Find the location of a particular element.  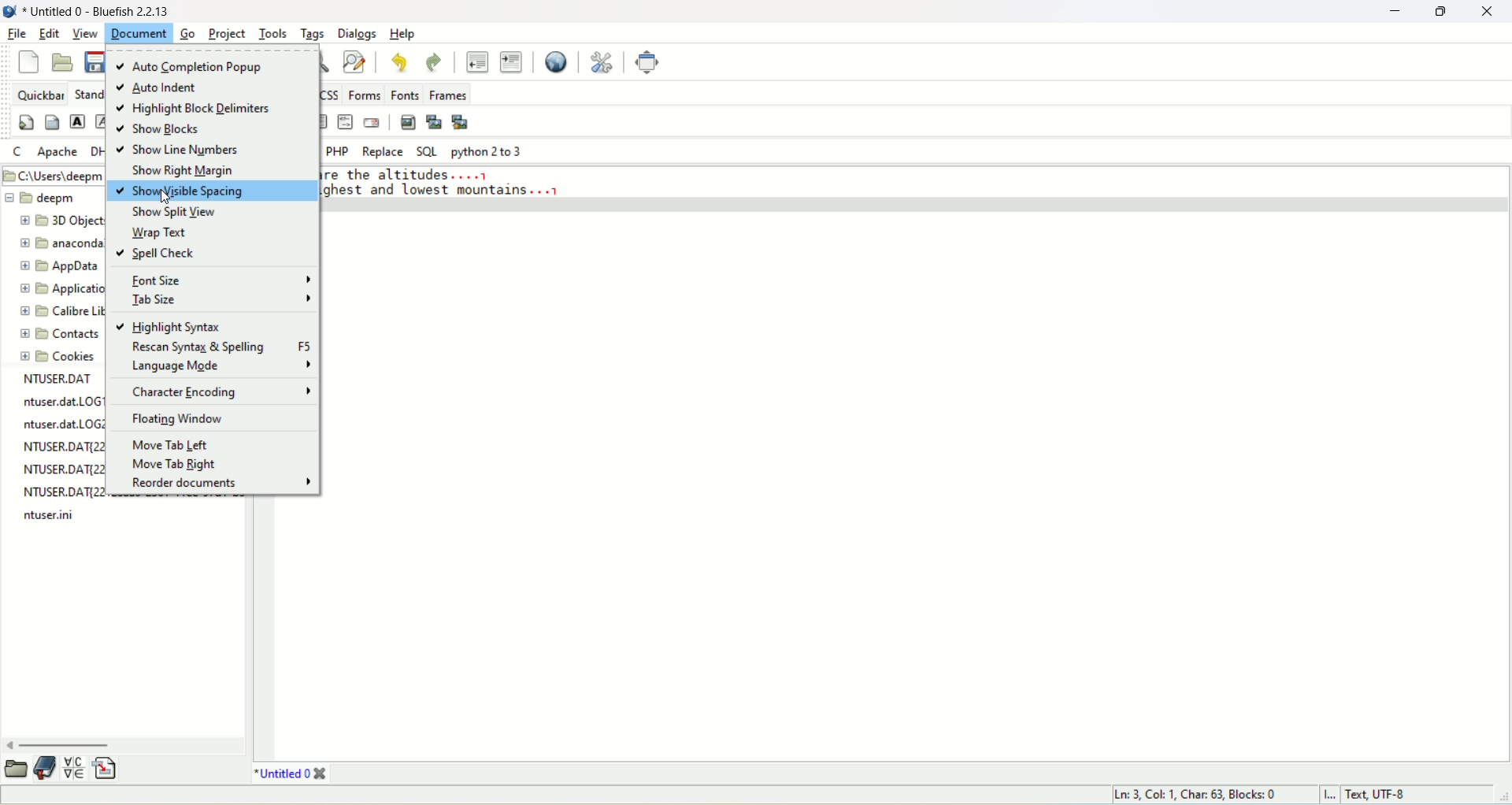

replace is located at coordinates (384, 152).